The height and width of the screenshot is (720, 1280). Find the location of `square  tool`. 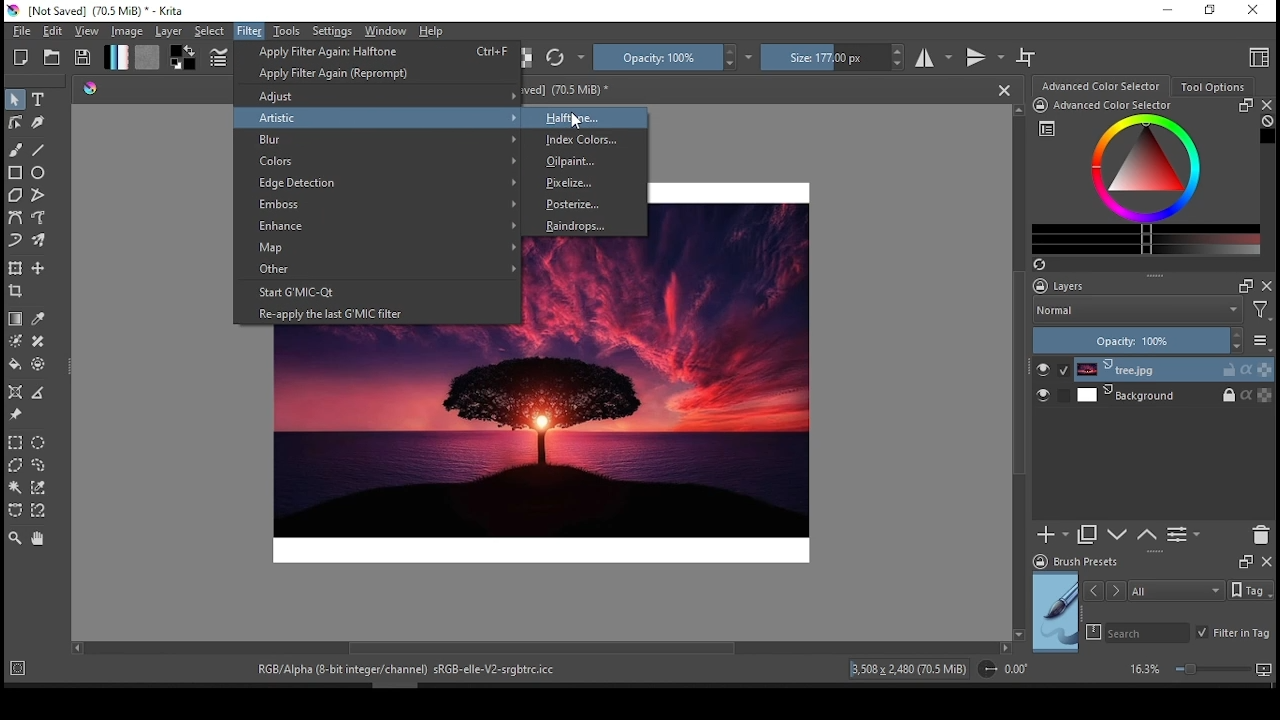

square  tool is located at coordinates (16, 172).